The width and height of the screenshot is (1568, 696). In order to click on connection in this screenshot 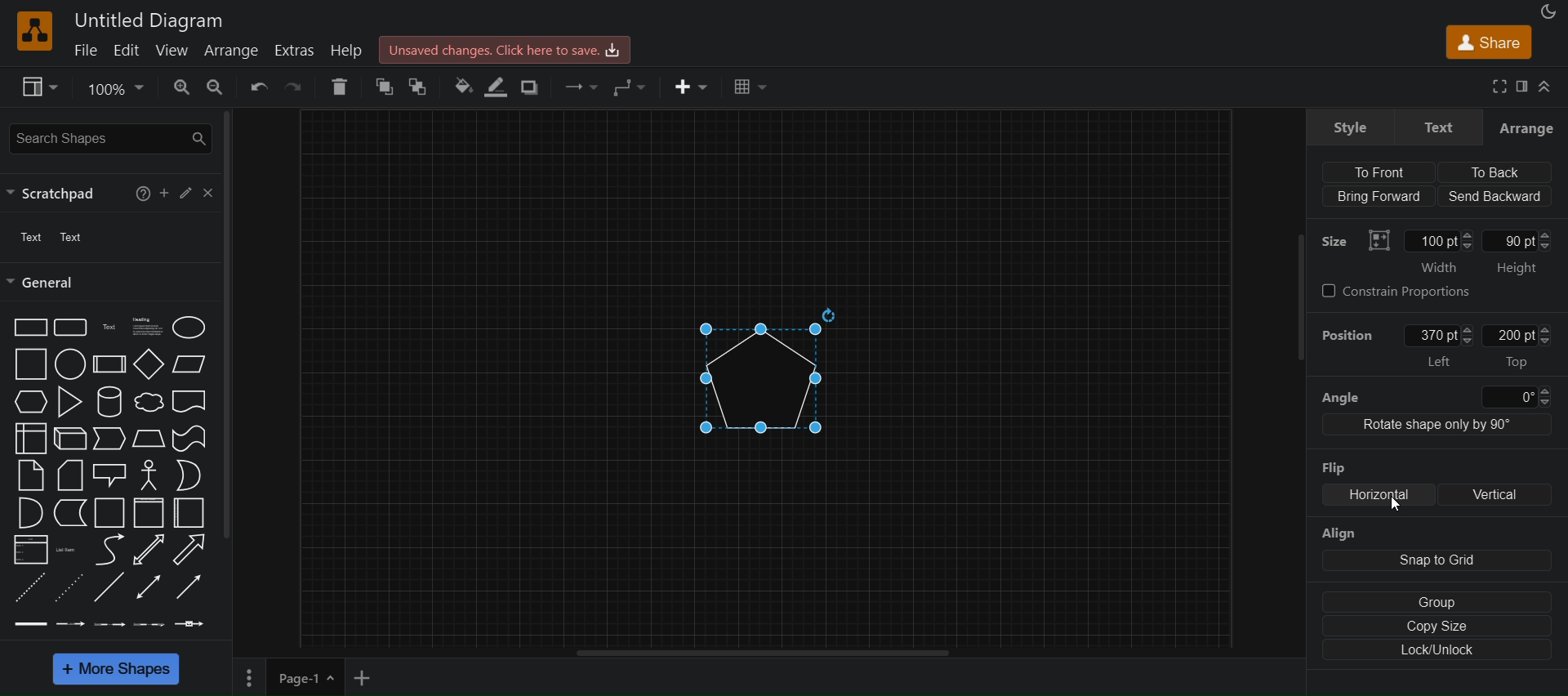, I will do `click(577, 87)`.